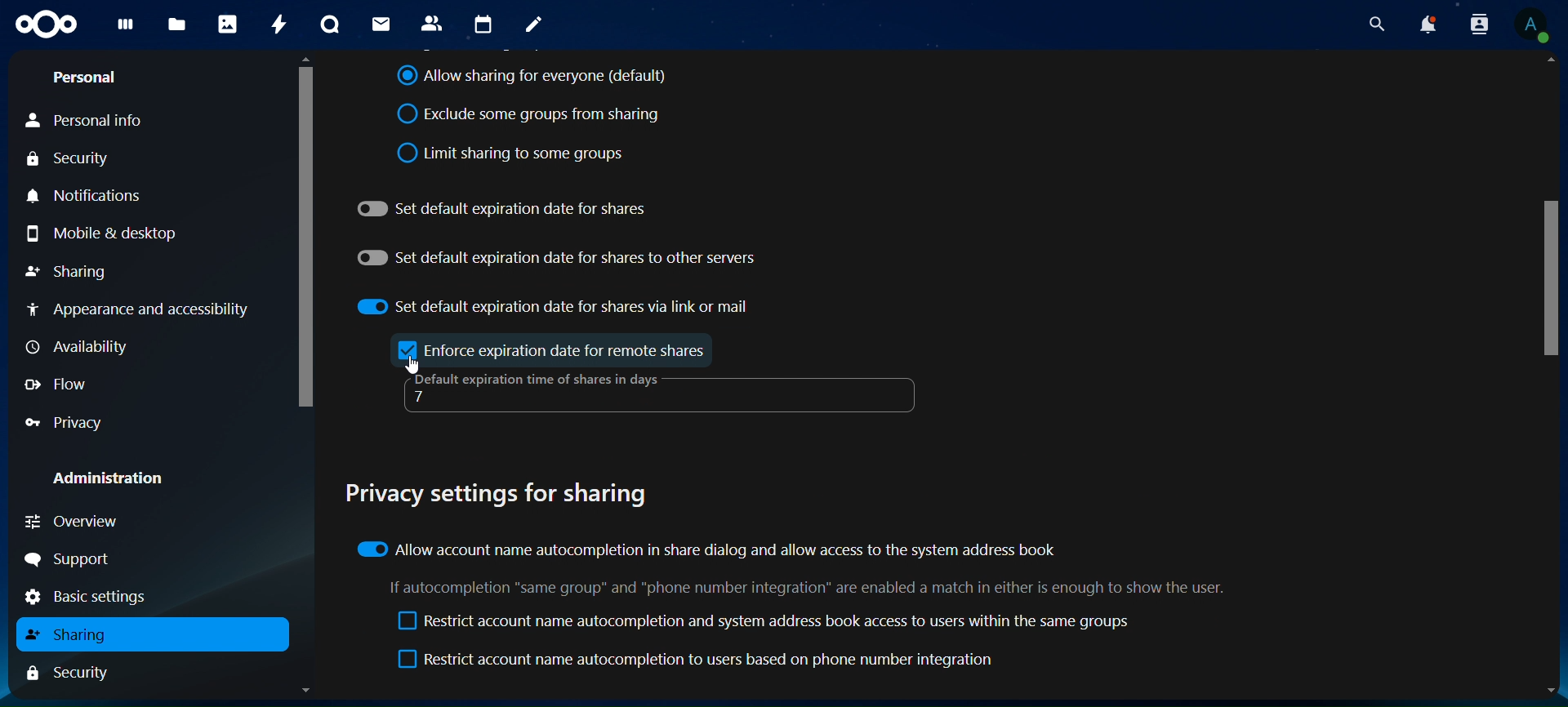  What do you see at coordinates (141, 306) in the screenshot?
I see `appearance and acessibilty` at bounding box center [141, 306].